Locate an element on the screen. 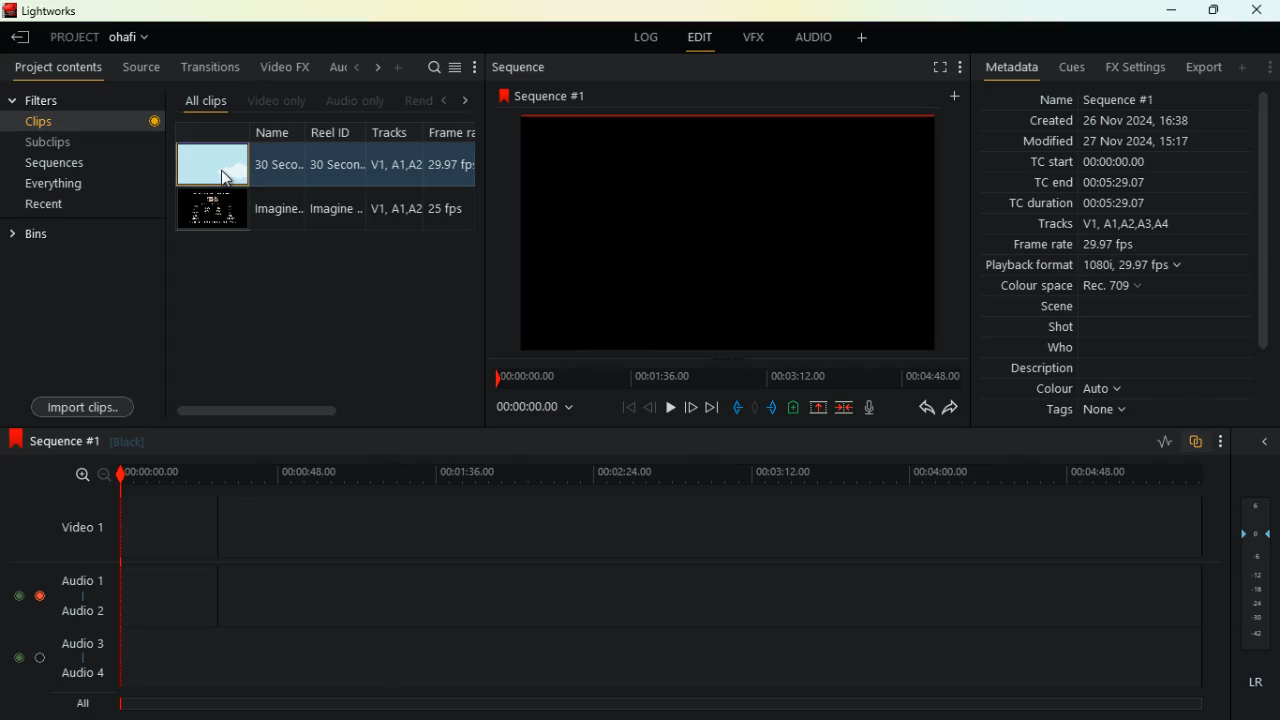 This screenshot has height=720, width=1280. transitions is located at coordinates (213, 69).